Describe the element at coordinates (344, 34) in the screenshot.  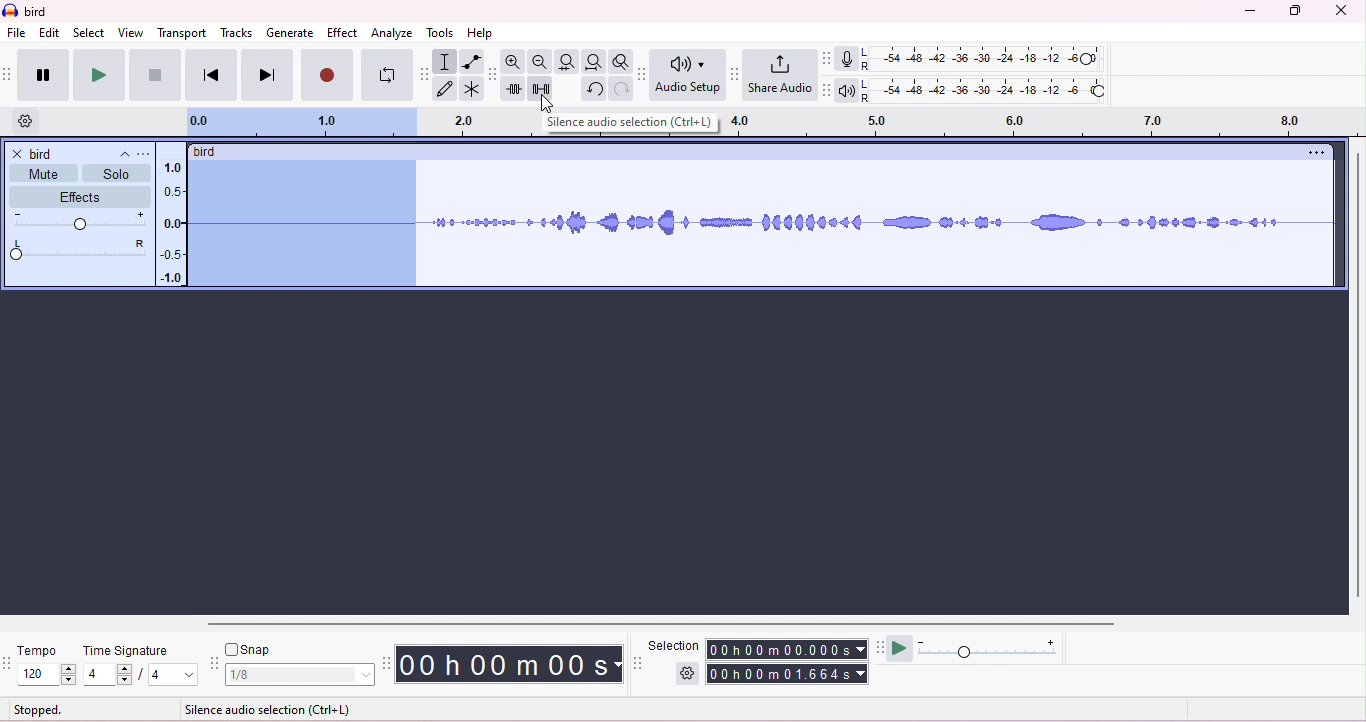
I see `effect` at that location.